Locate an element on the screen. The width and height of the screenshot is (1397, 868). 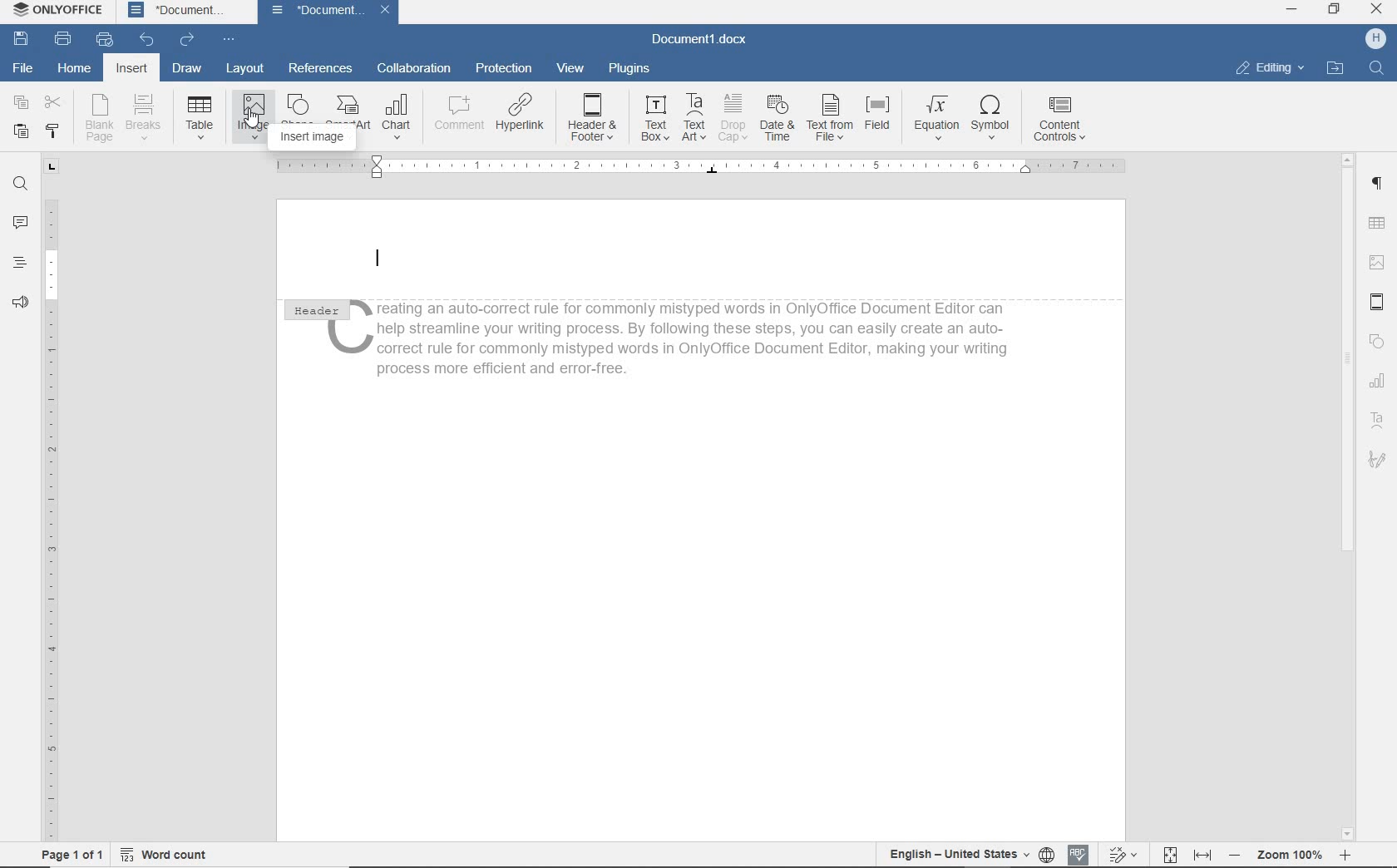
FIELD is located at coordinates (877, 121).